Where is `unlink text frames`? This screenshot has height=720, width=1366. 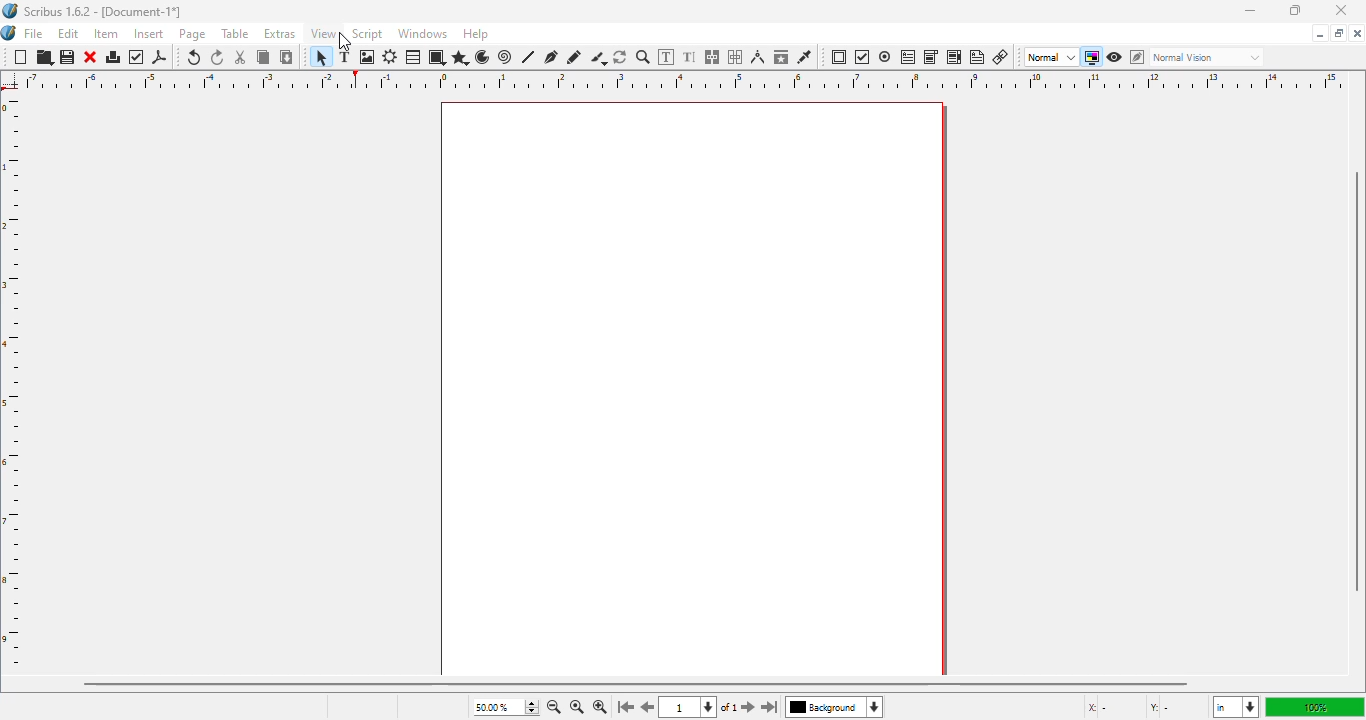
unlink text frames is located at coordinates (738, 57).